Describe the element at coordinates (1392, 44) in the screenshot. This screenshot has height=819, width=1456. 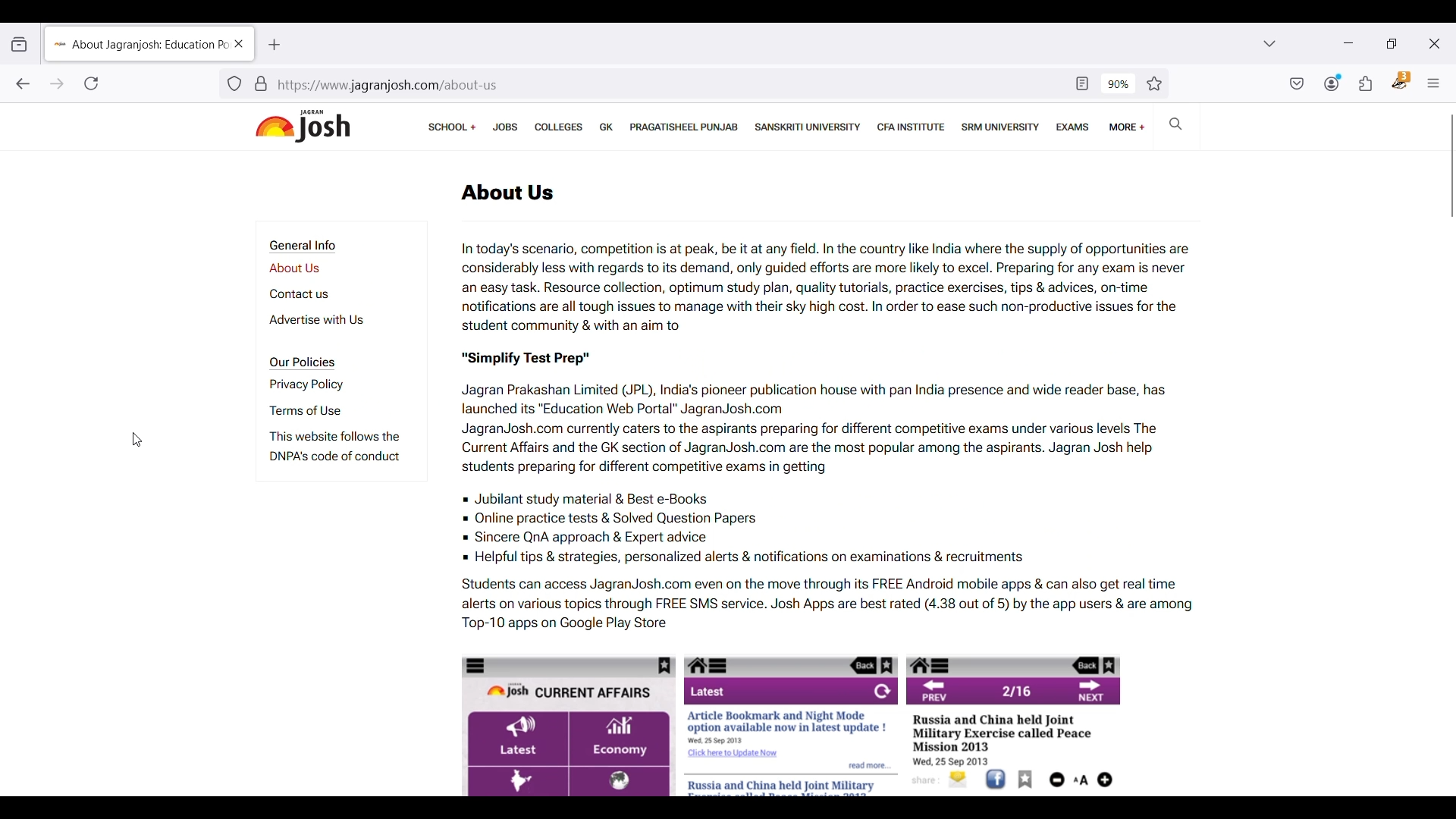
I see `Show interface in a smaller tab` at that location.